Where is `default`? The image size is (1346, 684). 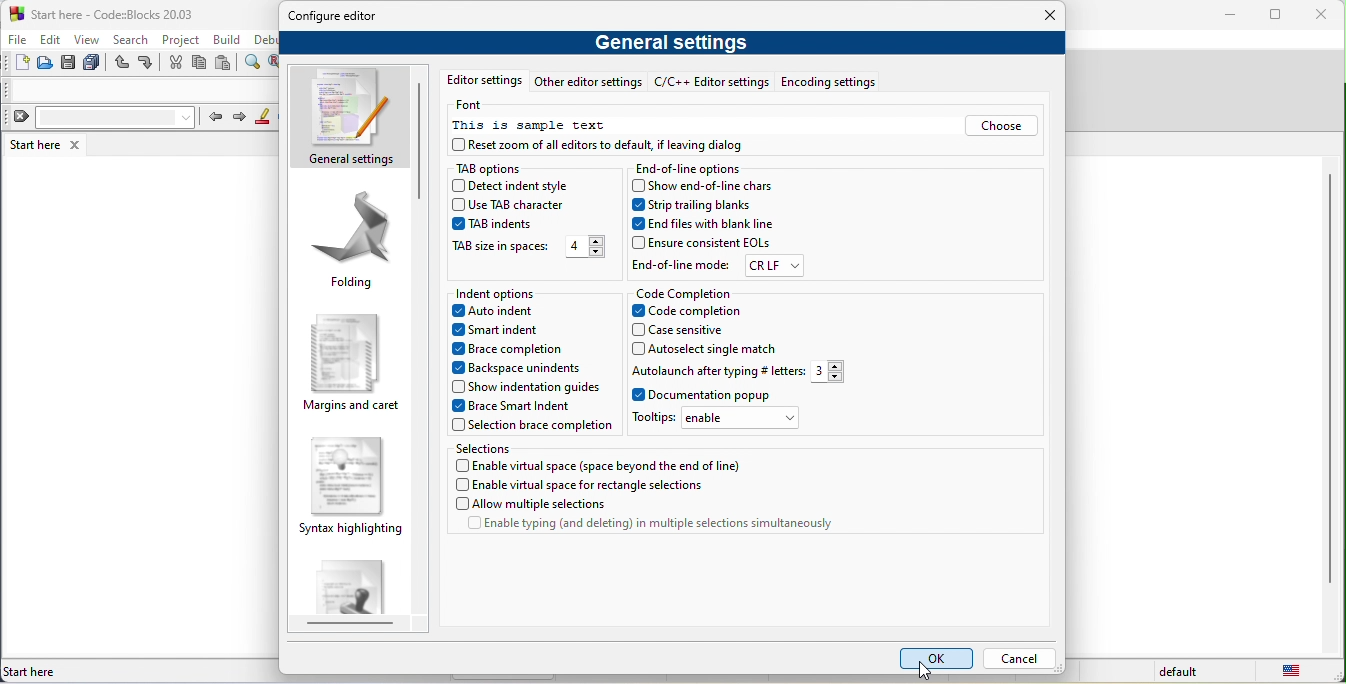 default is located at coordinates (1171, 673).